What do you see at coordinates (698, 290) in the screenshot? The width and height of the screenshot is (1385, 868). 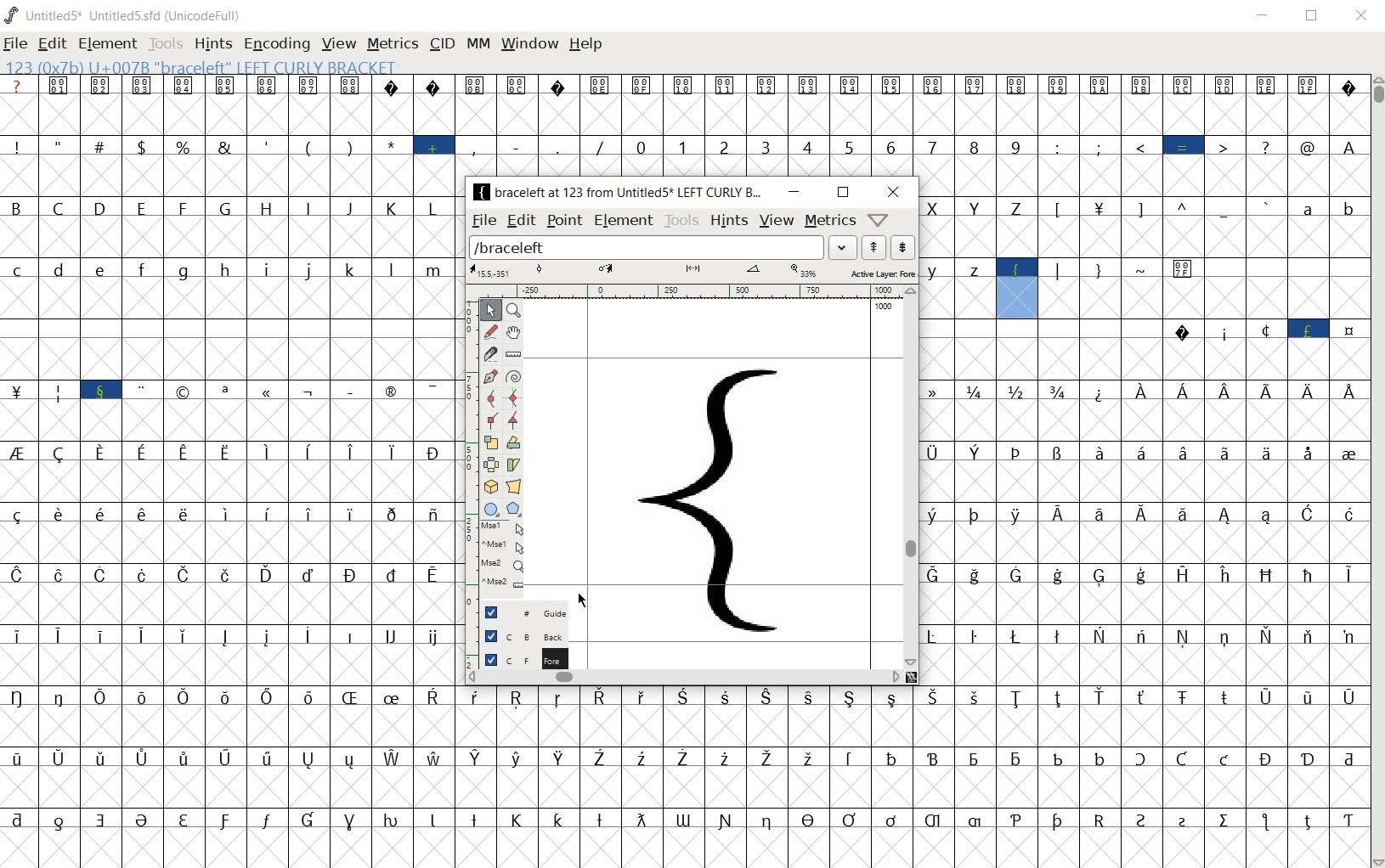 I see `ruler` at bounding box center [698, 290].